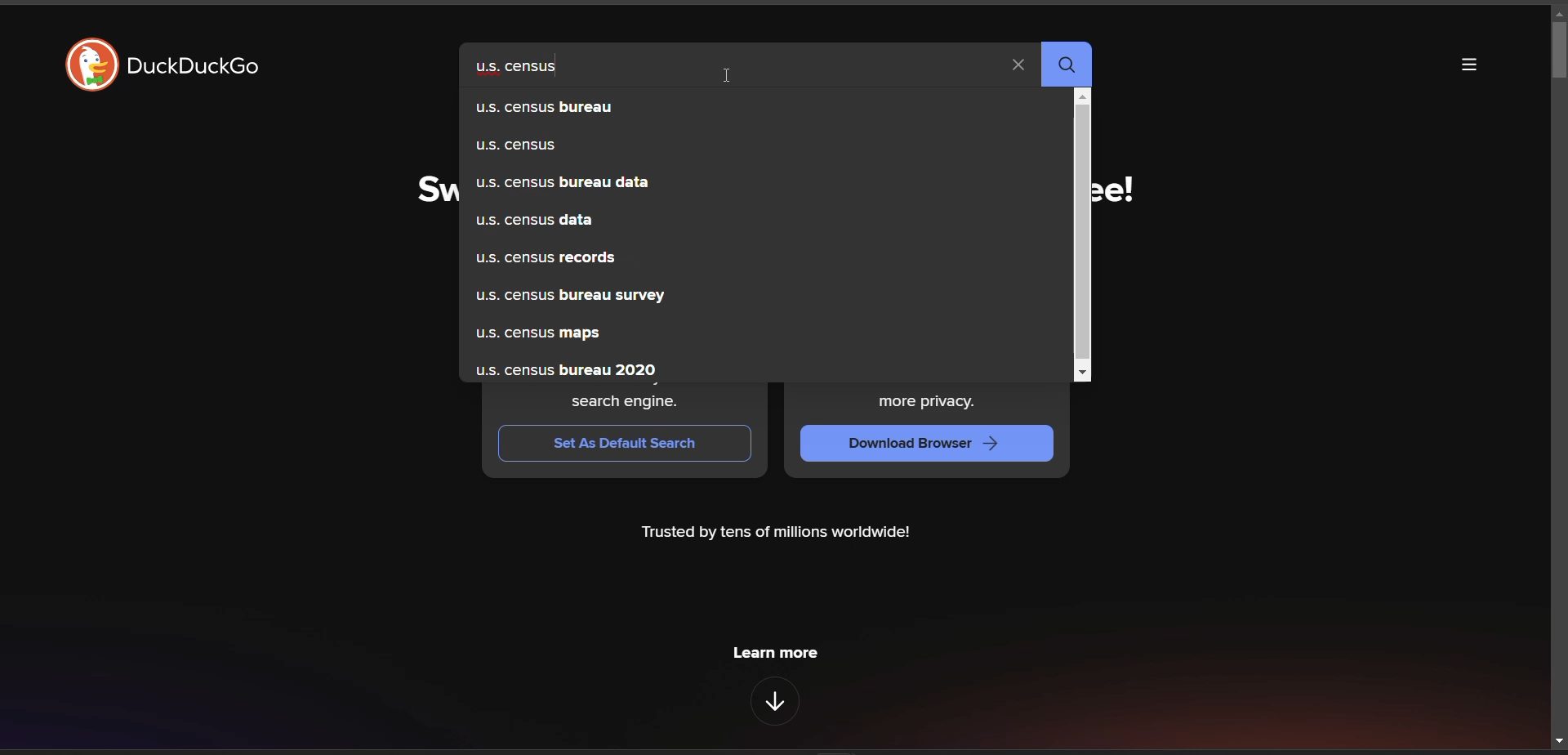  Describe the element at coordinates (777, 702) in the screenshot. I see `features` at that location.